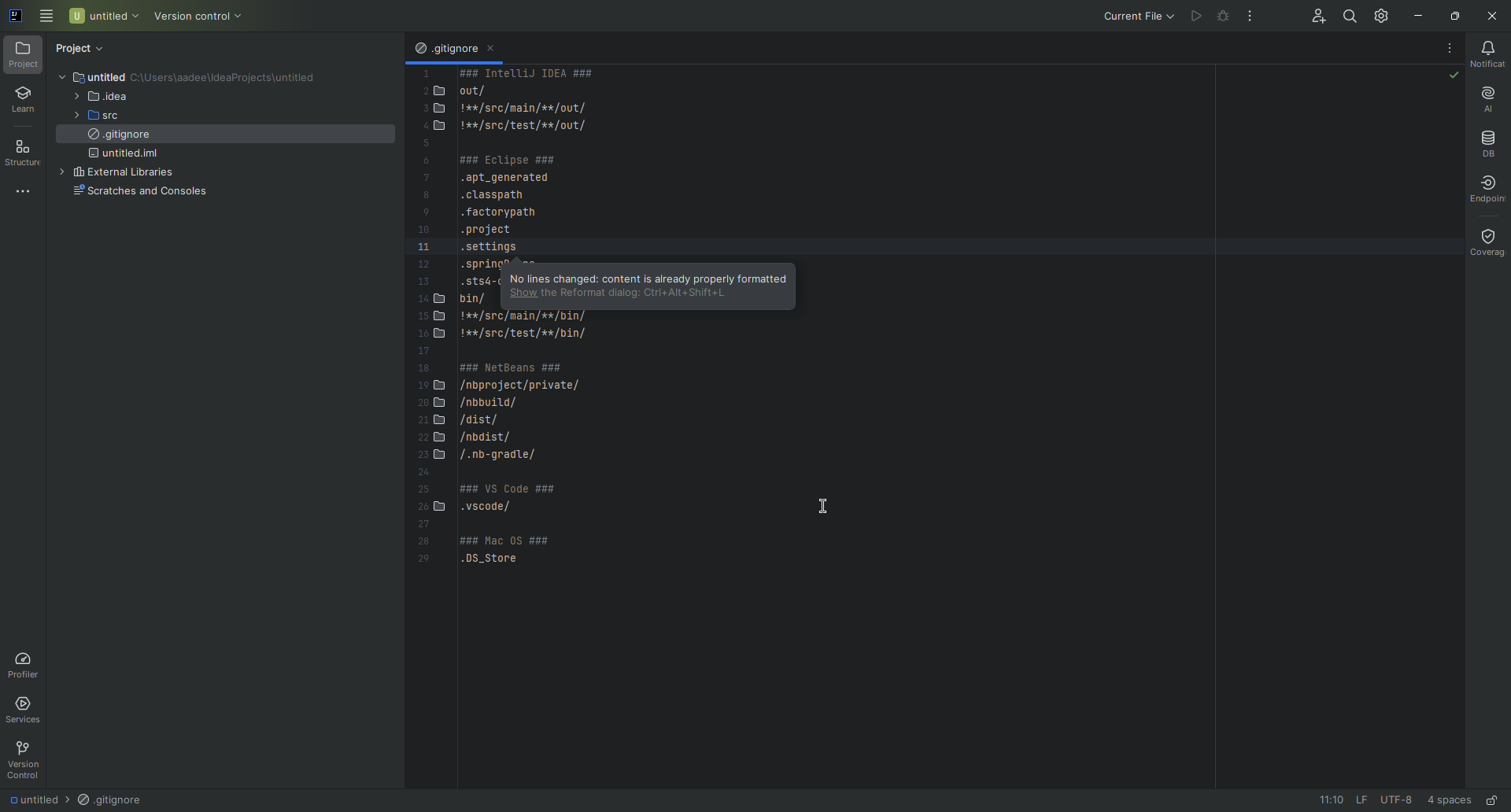 This screenshot has width=1511, height=812. Describe the element at coordinates (120, 76) in the screenshot. I see `untitled` at that location.